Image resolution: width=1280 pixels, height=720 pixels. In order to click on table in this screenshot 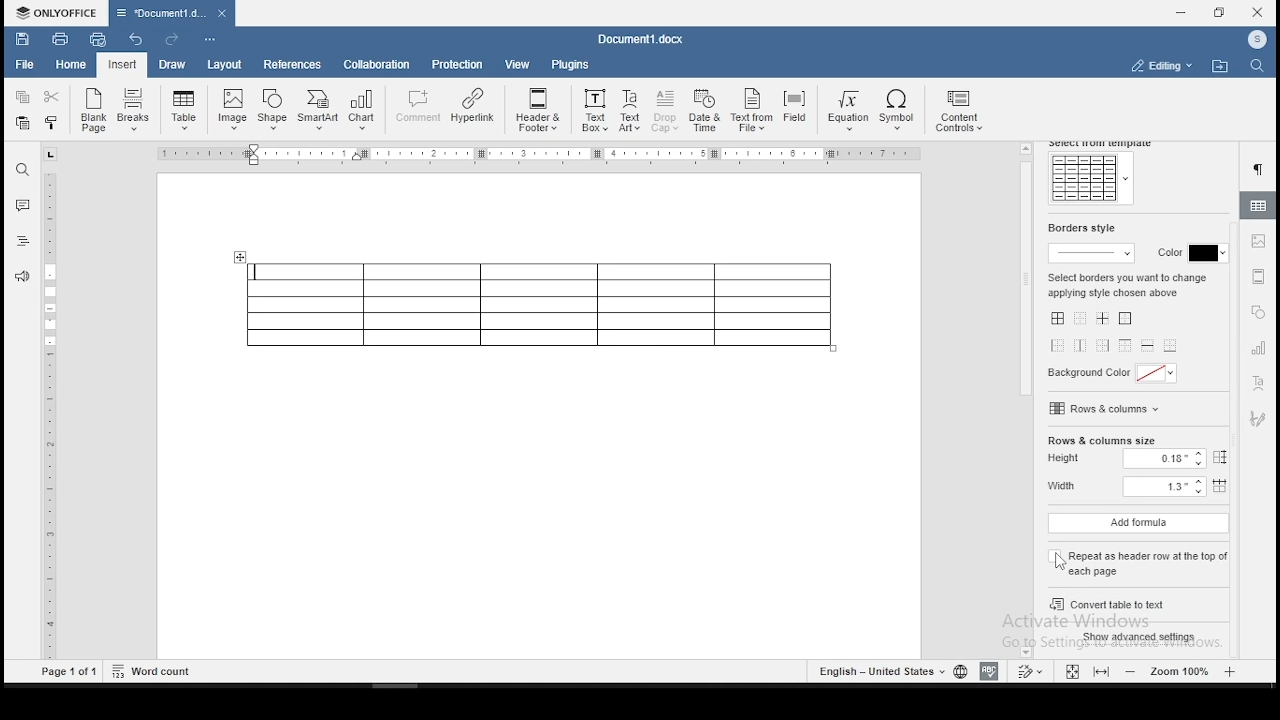, I will do `click(539, 305)`.